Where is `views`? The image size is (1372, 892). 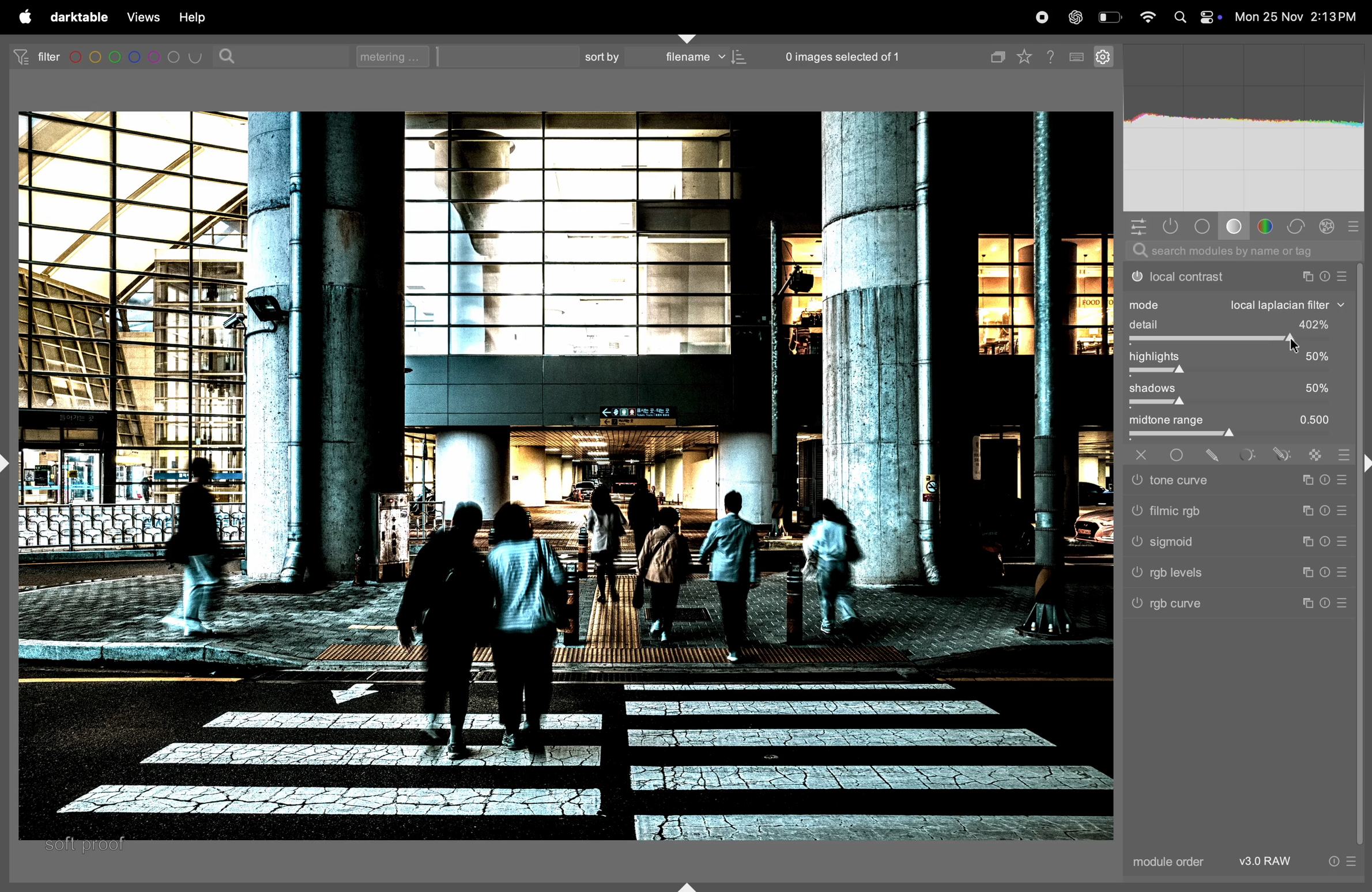
views is located at coordinates (141, 17).